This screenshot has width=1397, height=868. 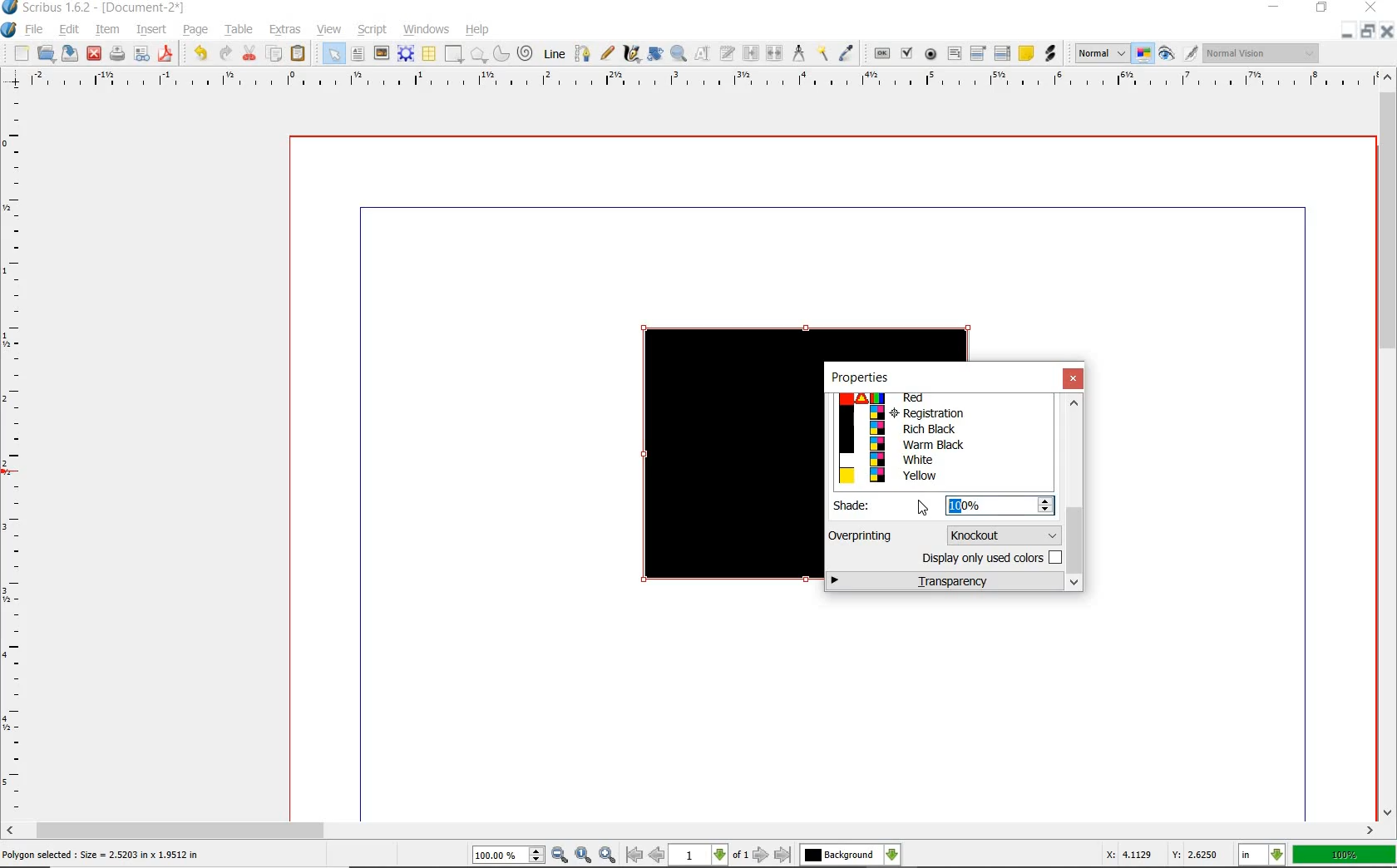 I want to click on RESTORE, so click(x=1321, y=11).